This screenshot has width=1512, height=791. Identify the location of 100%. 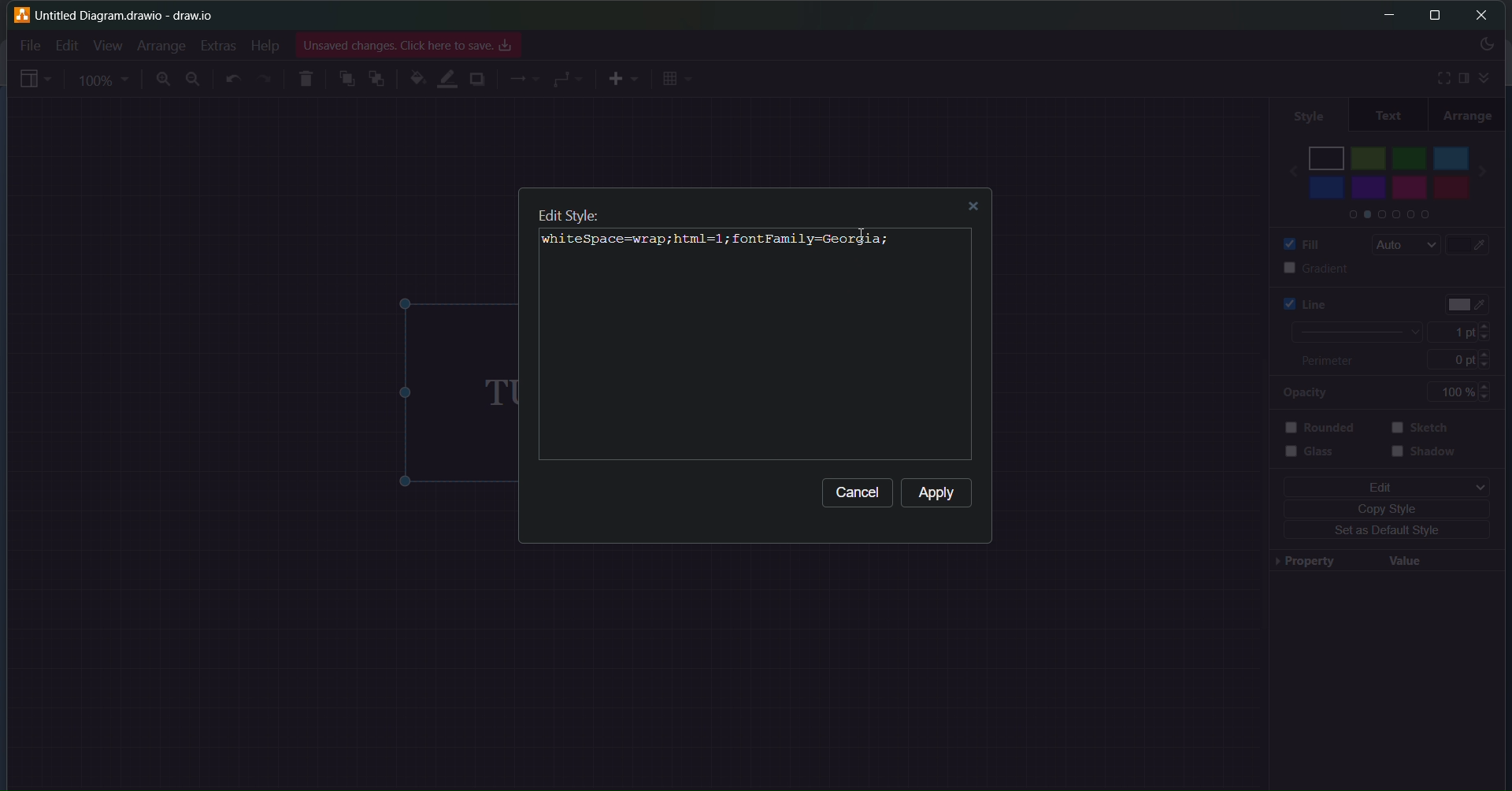
(1466, 392).